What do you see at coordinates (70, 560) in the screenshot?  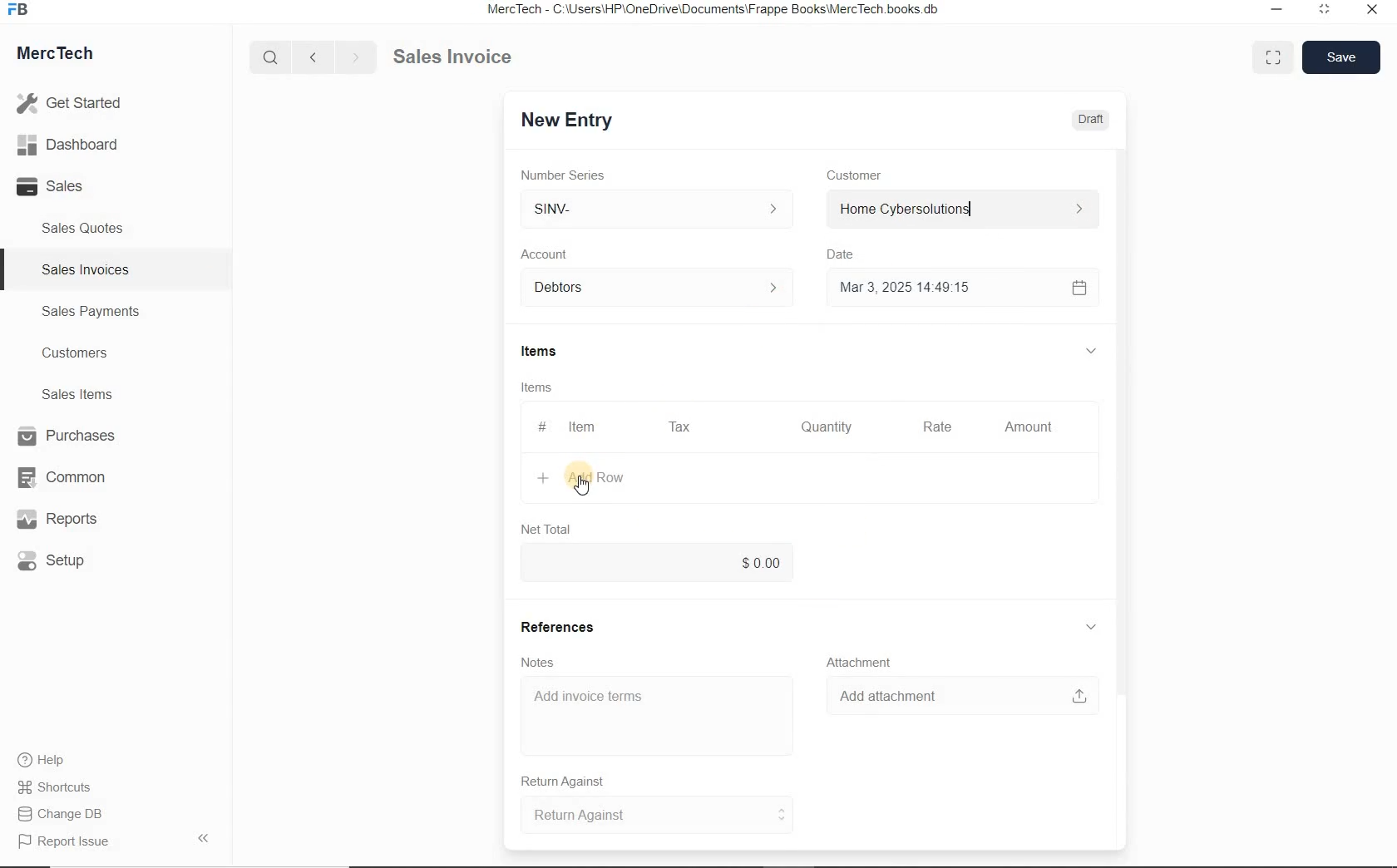 I see `Setup` at bounding box center [70, 560].